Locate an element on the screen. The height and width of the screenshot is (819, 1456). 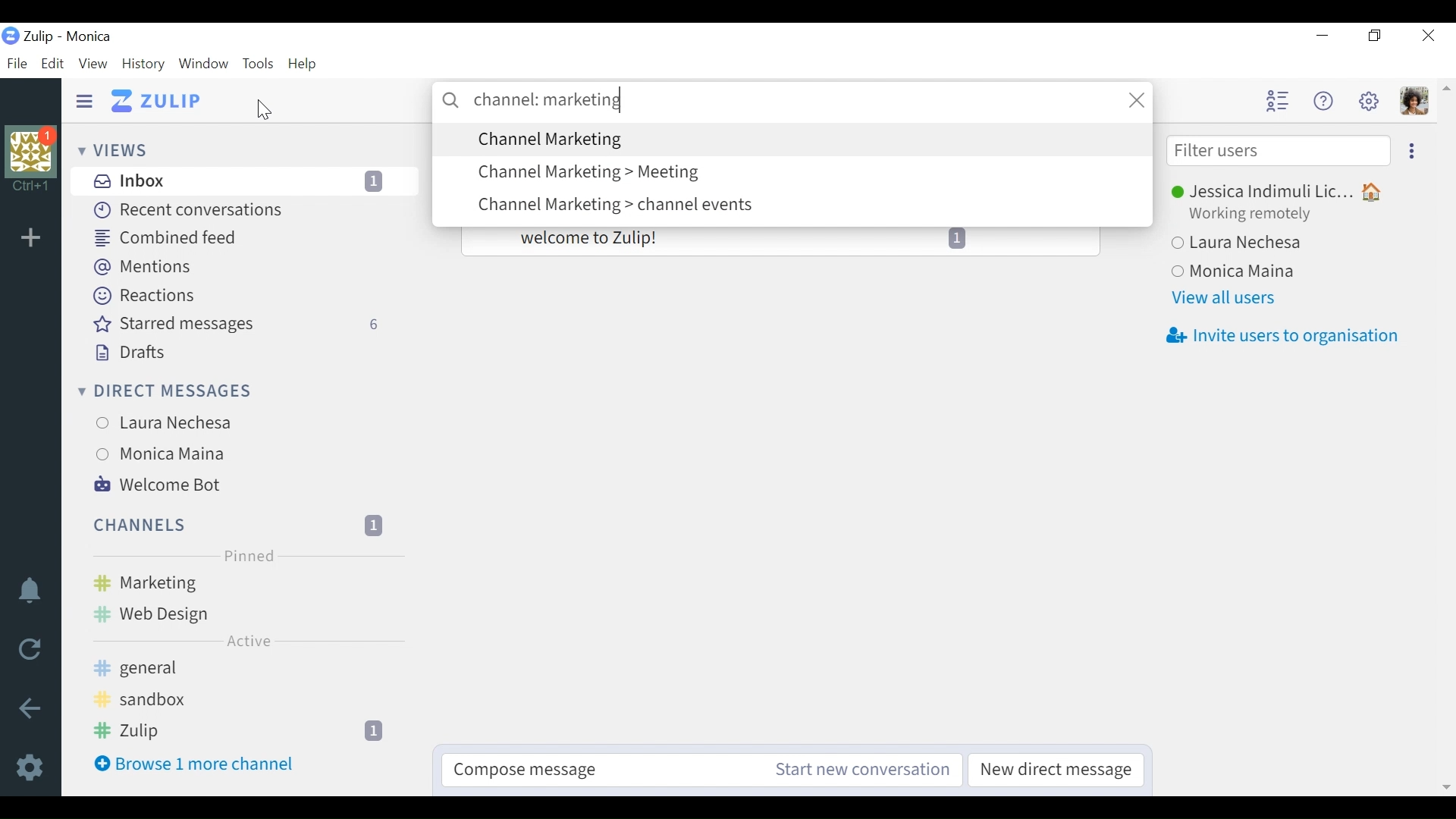
Users is located at coordinates (1252, 269).